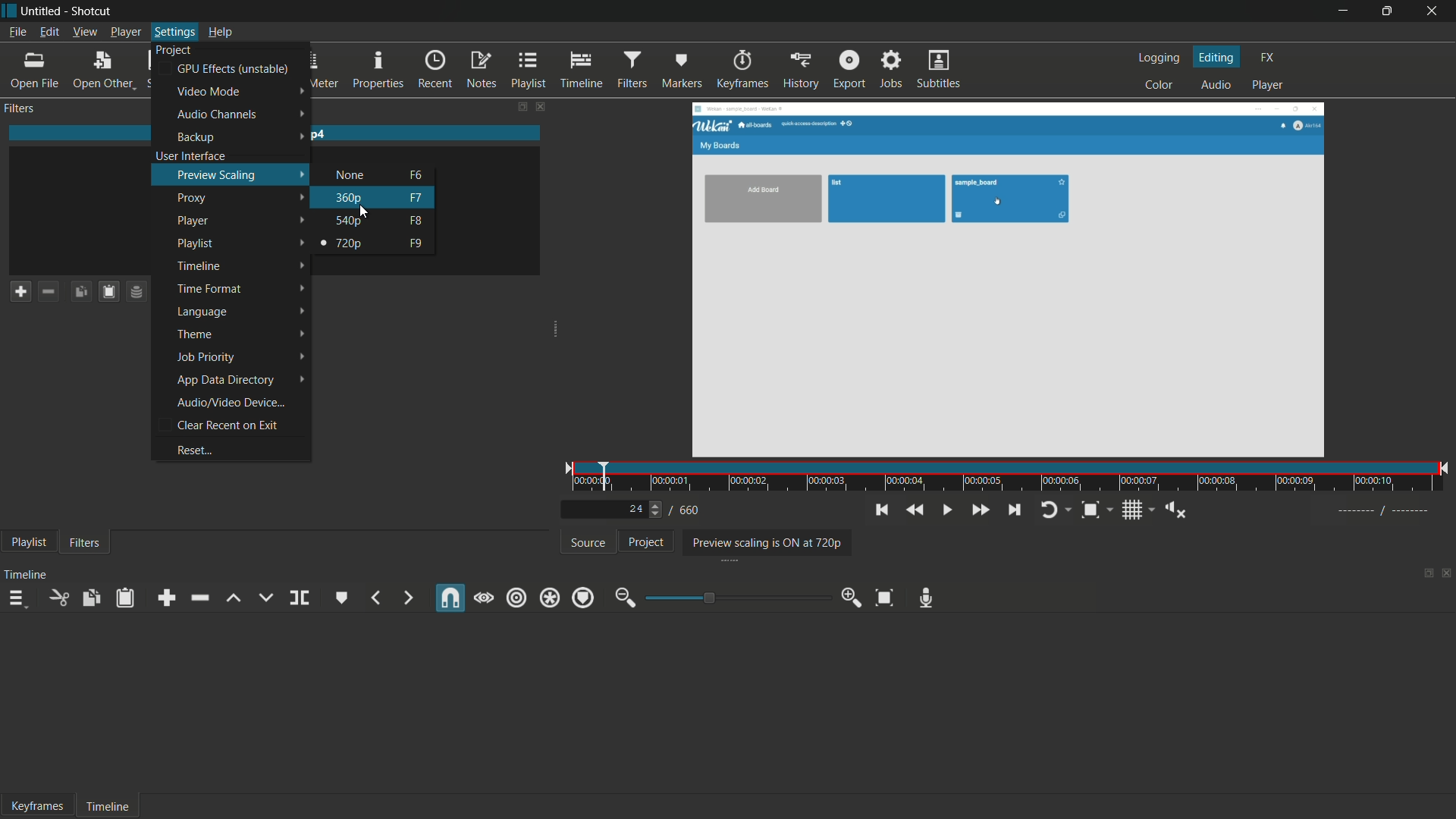 The height and width of the screenshot is (819, 1456). I want to click on player, so click(1267, 86).